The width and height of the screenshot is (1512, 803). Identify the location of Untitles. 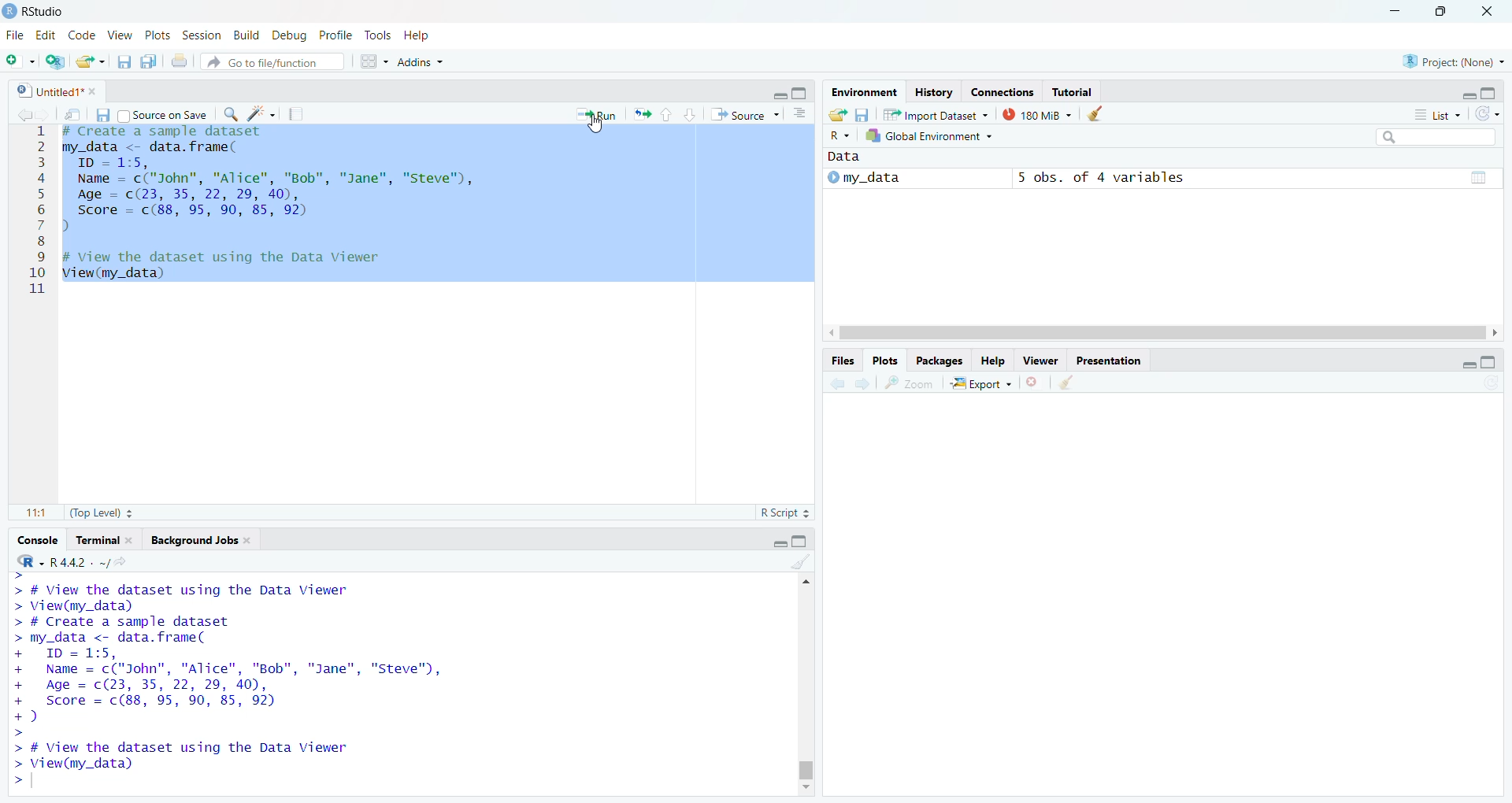
(55, 91).